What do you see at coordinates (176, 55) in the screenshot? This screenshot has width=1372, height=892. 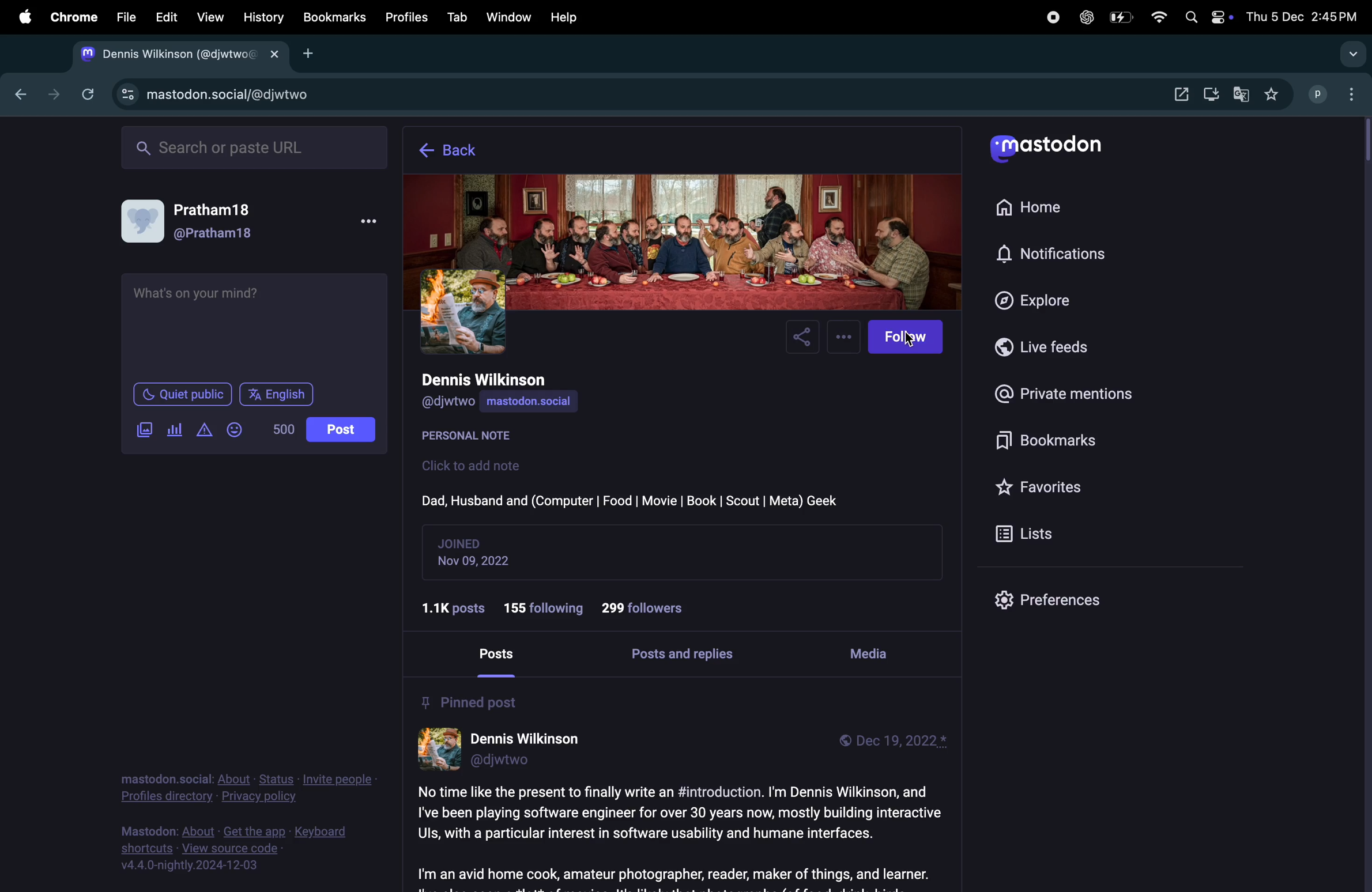 I see `explore mastodon` at bounding box center [176, 55].